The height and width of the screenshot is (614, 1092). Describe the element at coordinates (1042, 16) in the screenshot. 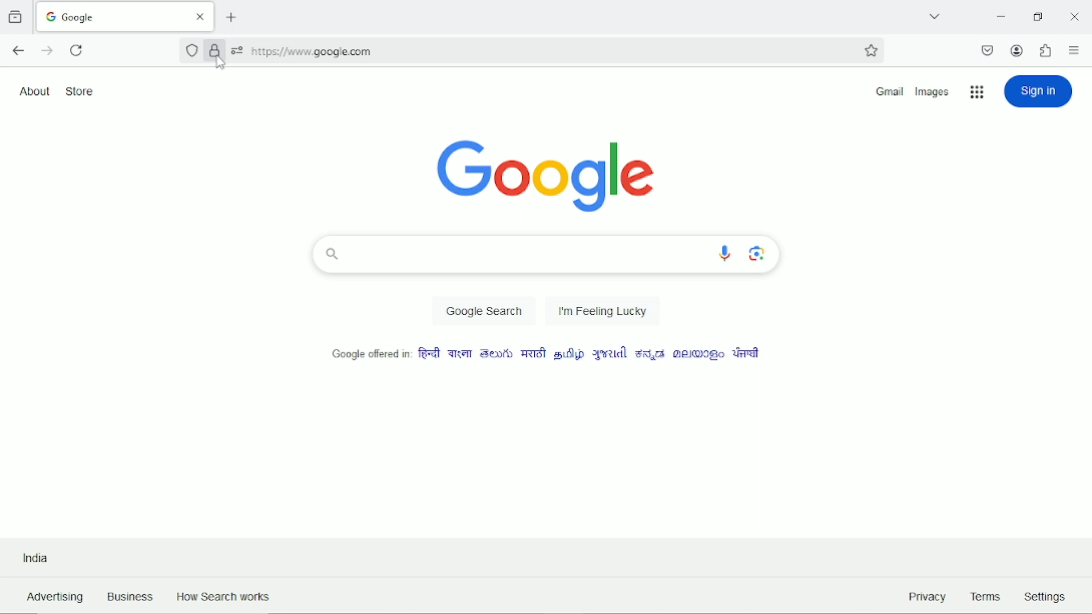

I see `restore down` at that location.